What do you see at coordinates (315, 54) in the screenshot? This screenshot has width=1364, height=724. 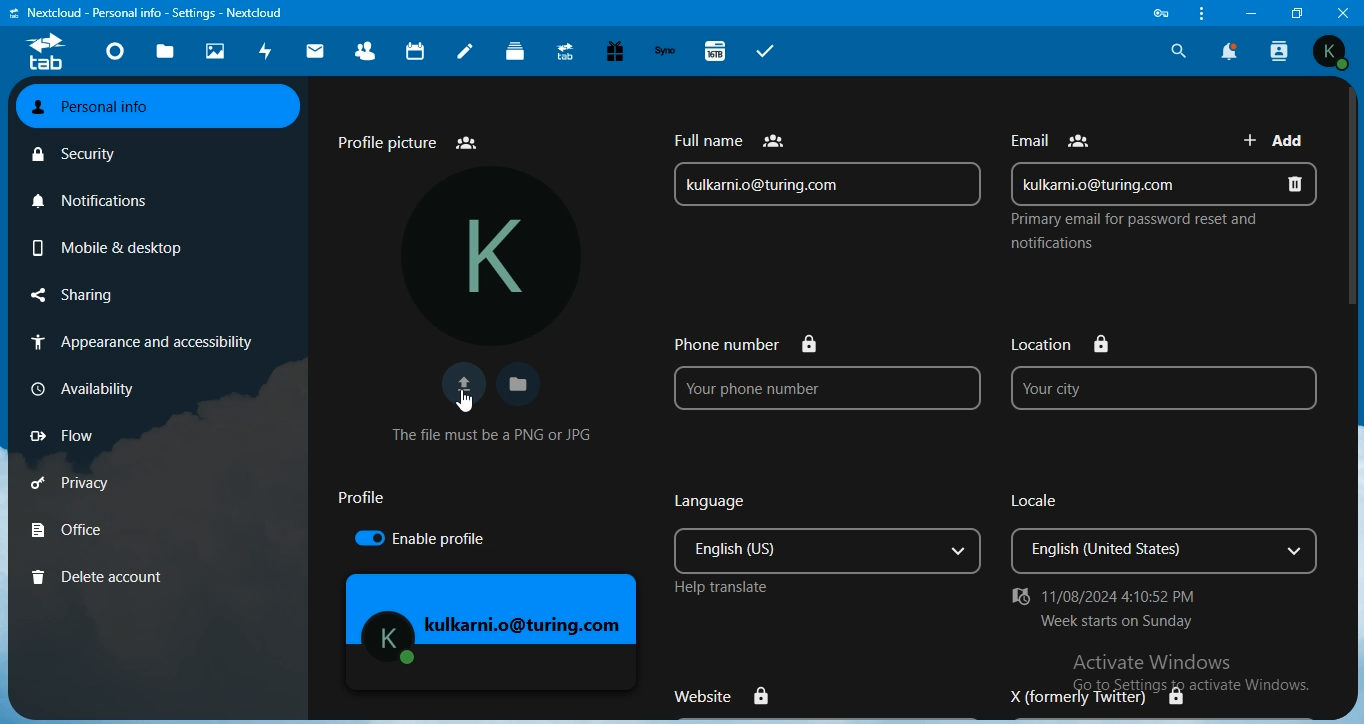 I see `mail` at bounding box center [315, 54].